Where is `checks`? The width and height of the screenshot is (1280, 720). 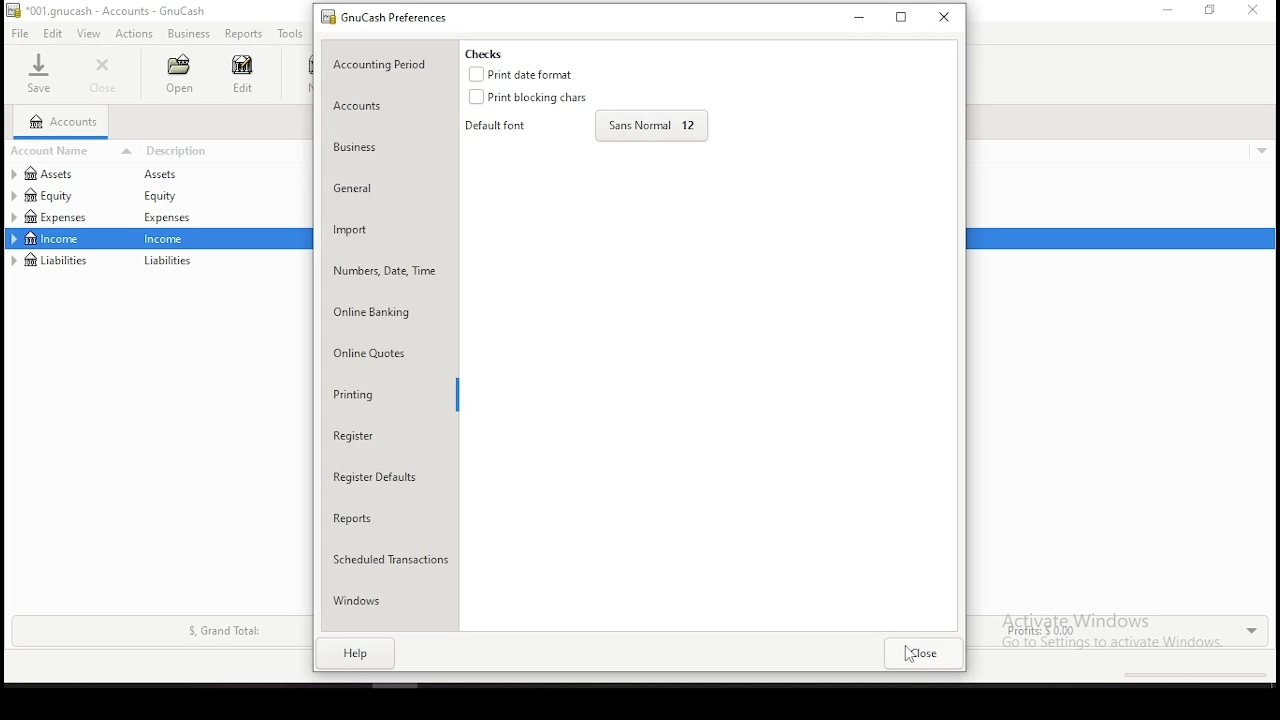 checks is located at coordinates (482, 53).